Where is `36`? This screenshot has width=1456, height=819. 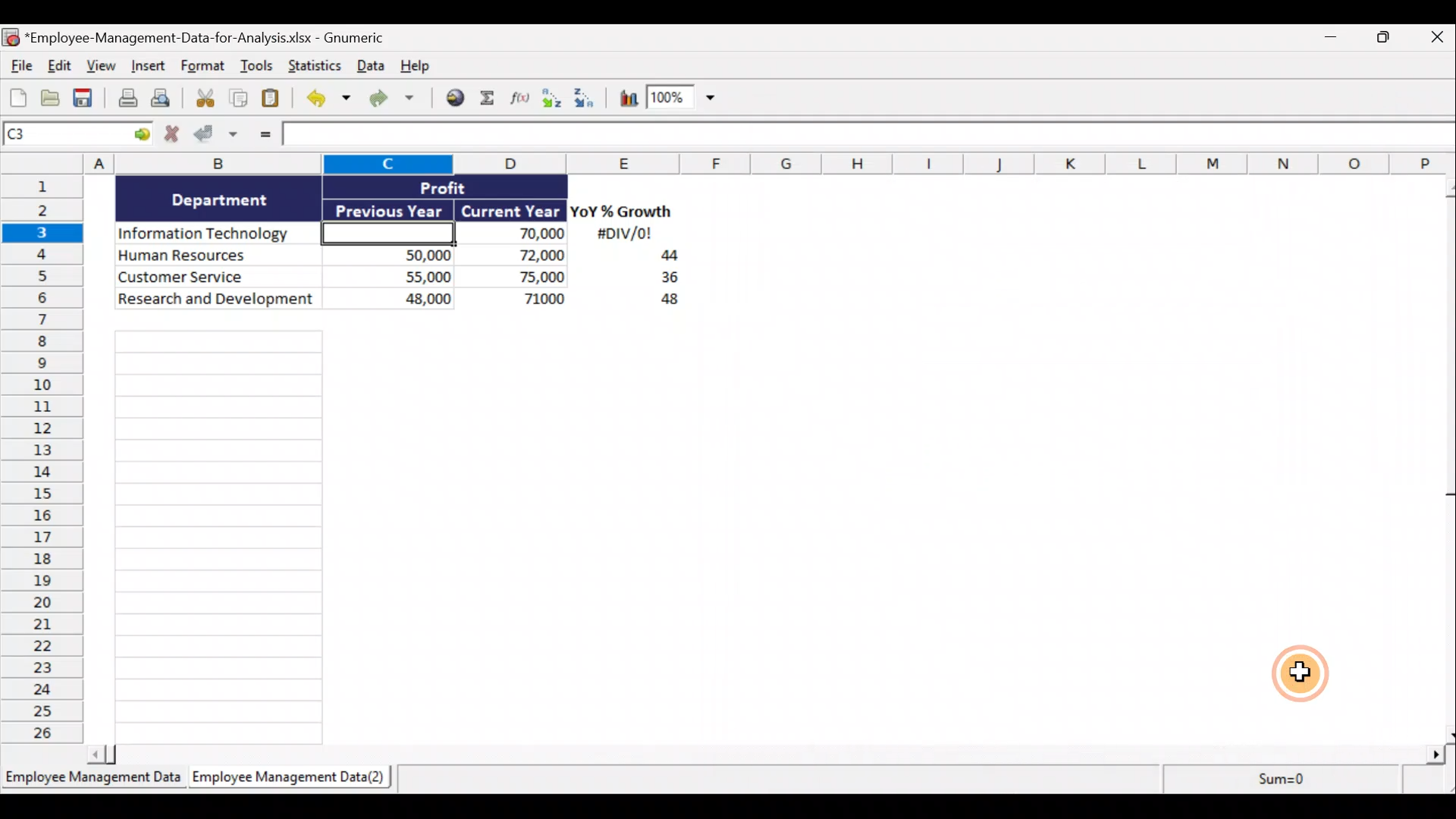
36 is located at coordinates (664, 280).